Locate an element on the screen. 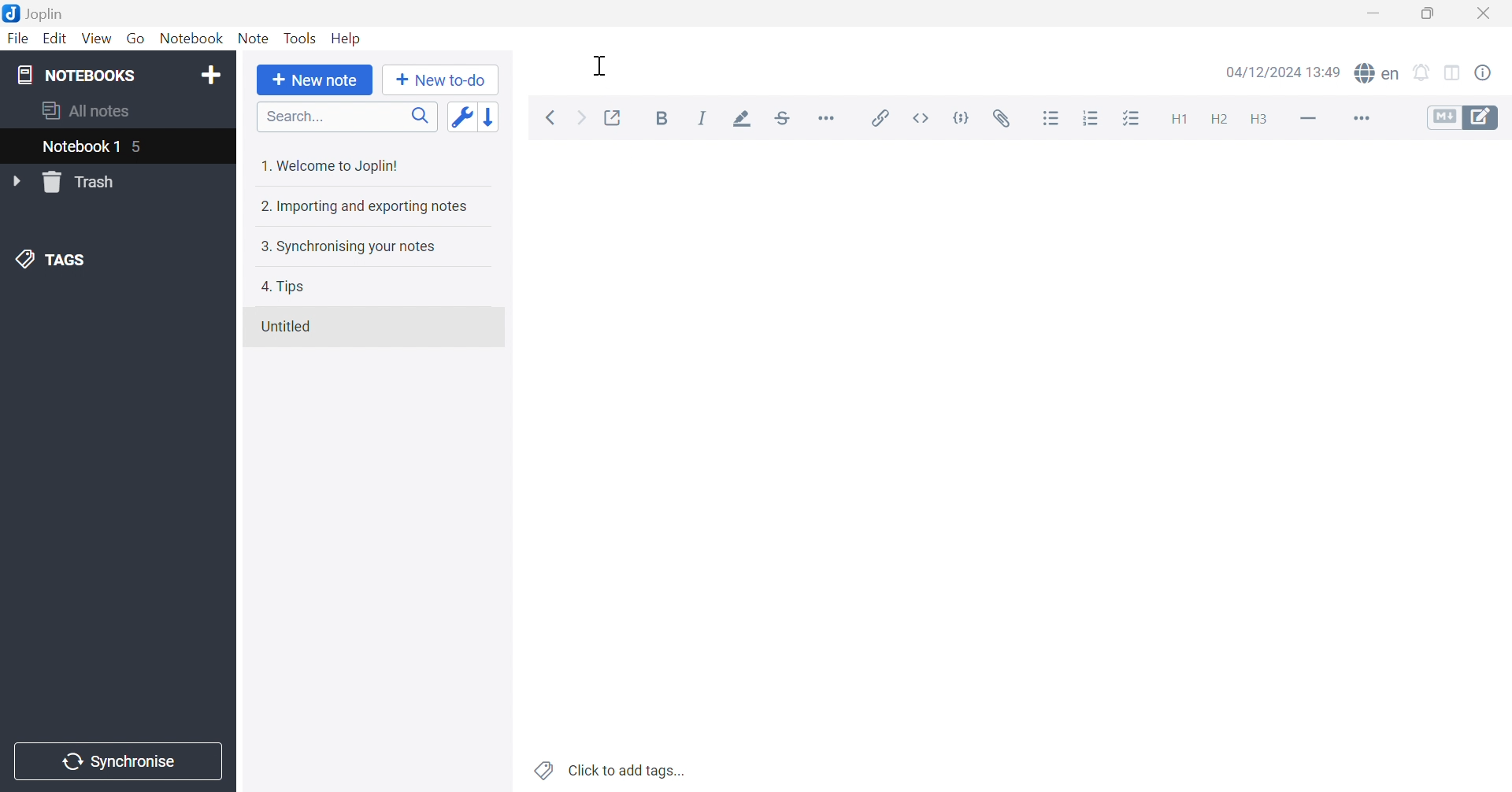 The image size is (1512, 792). Add notebook is located at coordinates (210, 77).